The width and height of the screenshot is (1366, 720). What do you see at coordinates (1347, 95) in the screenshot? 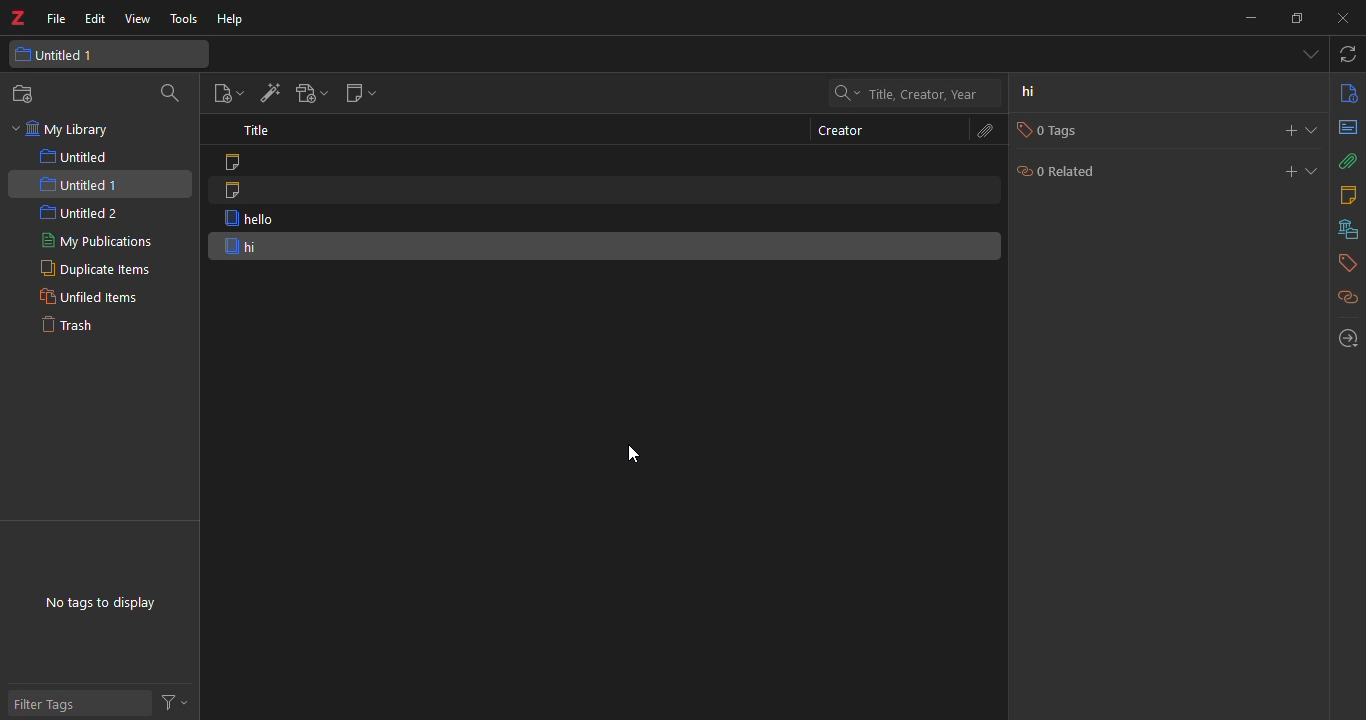
I see `info` at bounding box center [1347, 95].